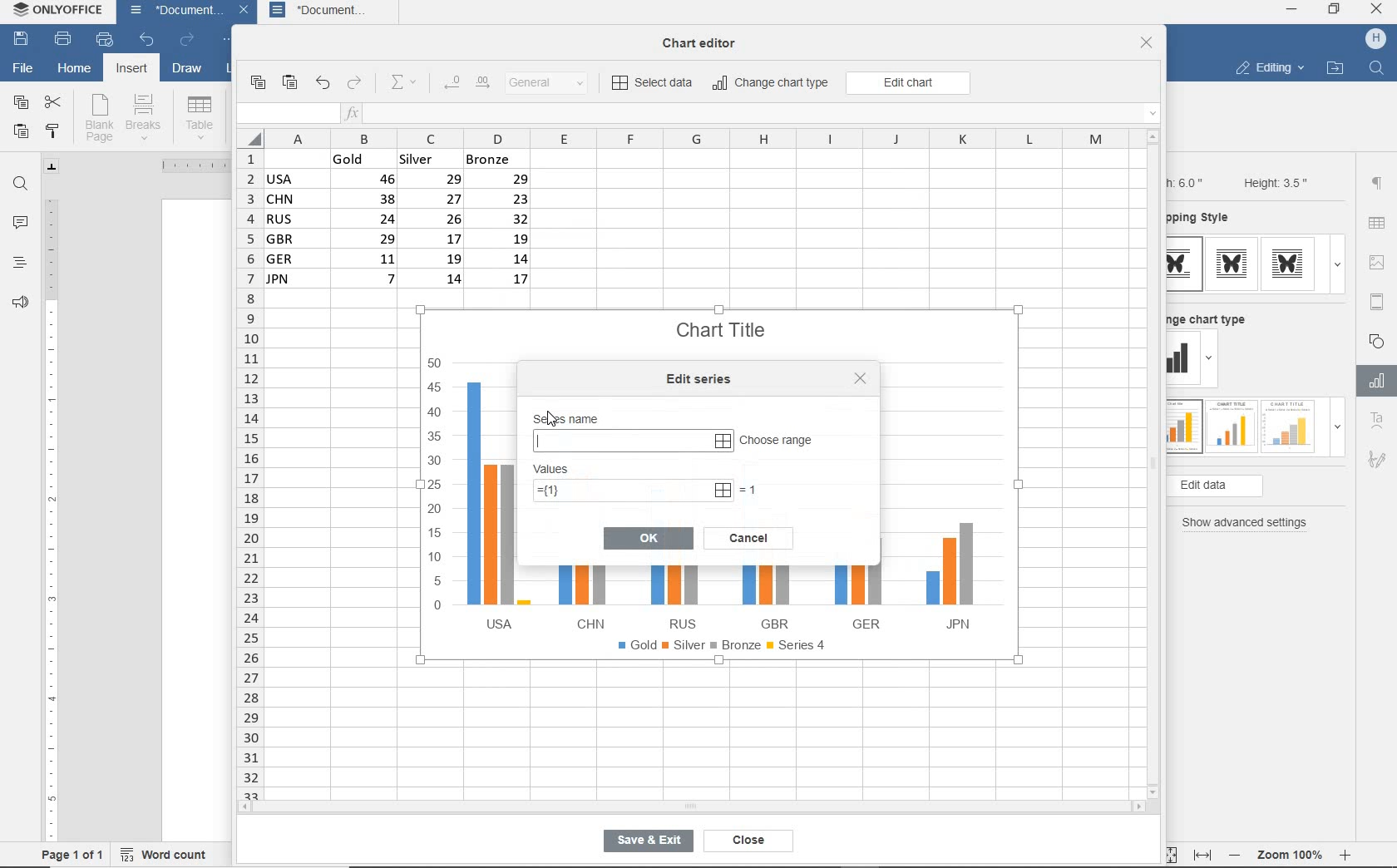 This screenshot has height=868, width=1397. Describe the element at coordinates (860, 599) in the screenshot. I see `GER` at that location.